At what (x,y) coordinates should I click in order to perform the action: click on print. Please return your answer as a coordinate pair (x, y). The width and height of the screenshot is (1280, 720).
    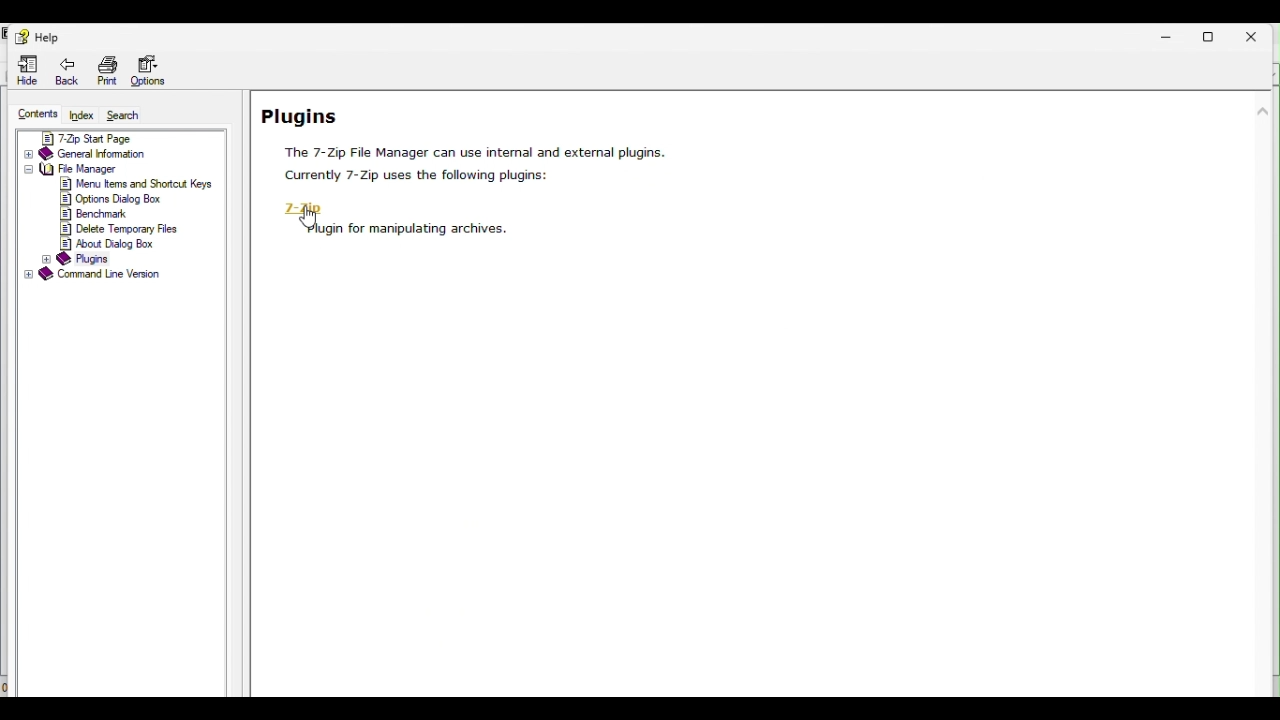
    Looking at the image, I should click on (104, 70).